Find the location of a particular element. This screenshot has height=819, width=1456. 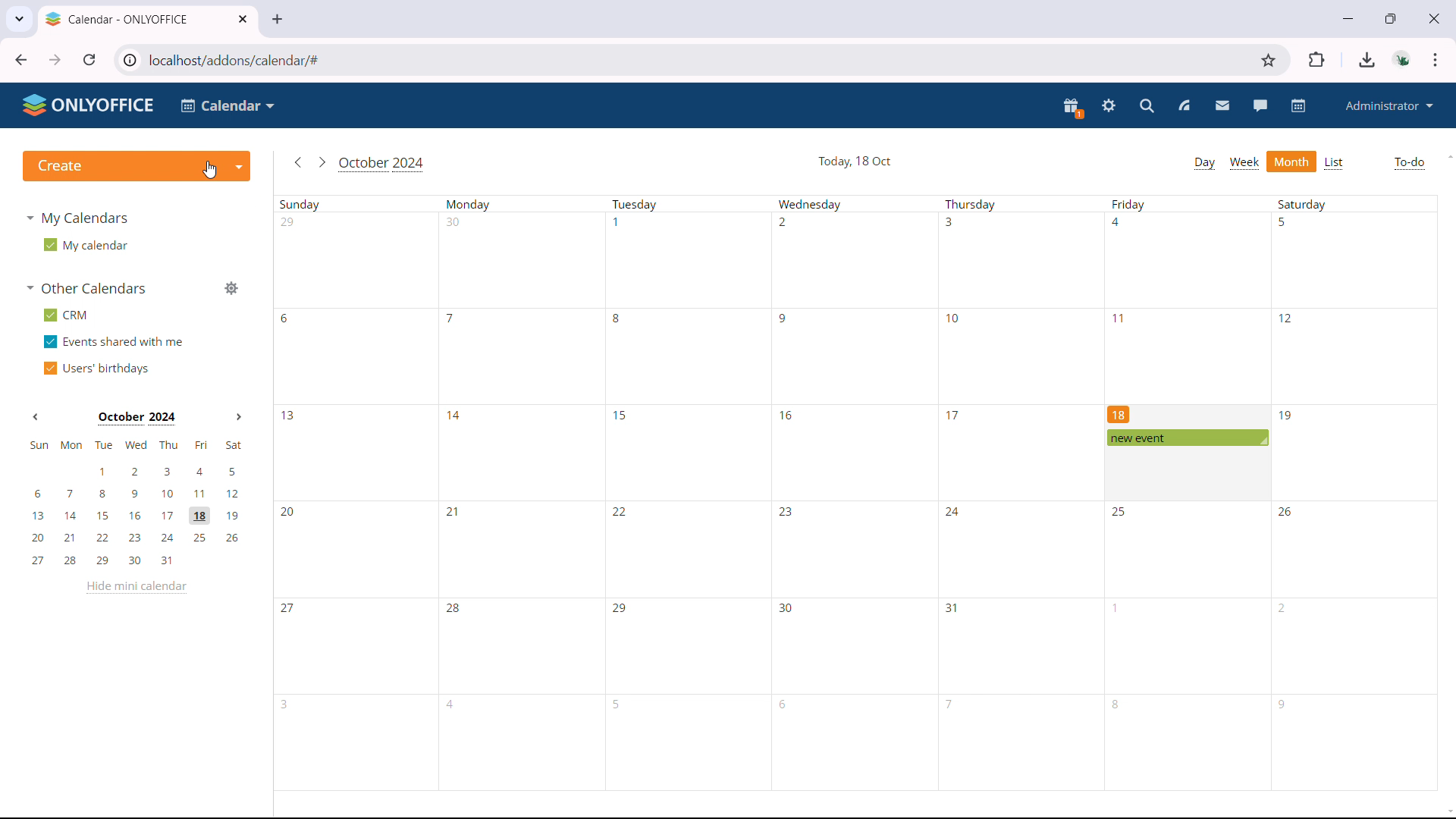

10 is located at coordinates (955, 318).